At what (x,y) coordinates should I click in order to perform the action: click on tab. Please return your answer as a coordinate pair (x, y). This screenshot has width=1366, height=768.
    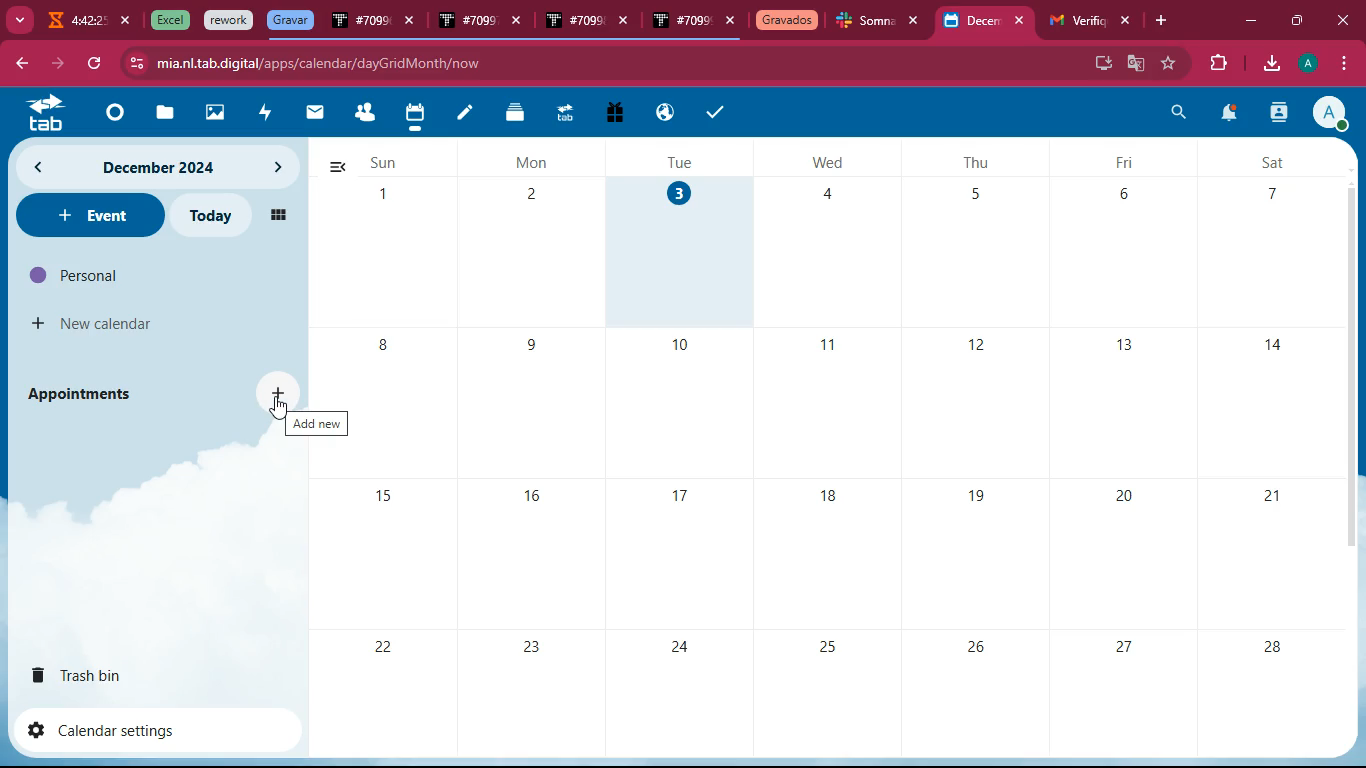
    Looking at the image, I should click on (866, 23).